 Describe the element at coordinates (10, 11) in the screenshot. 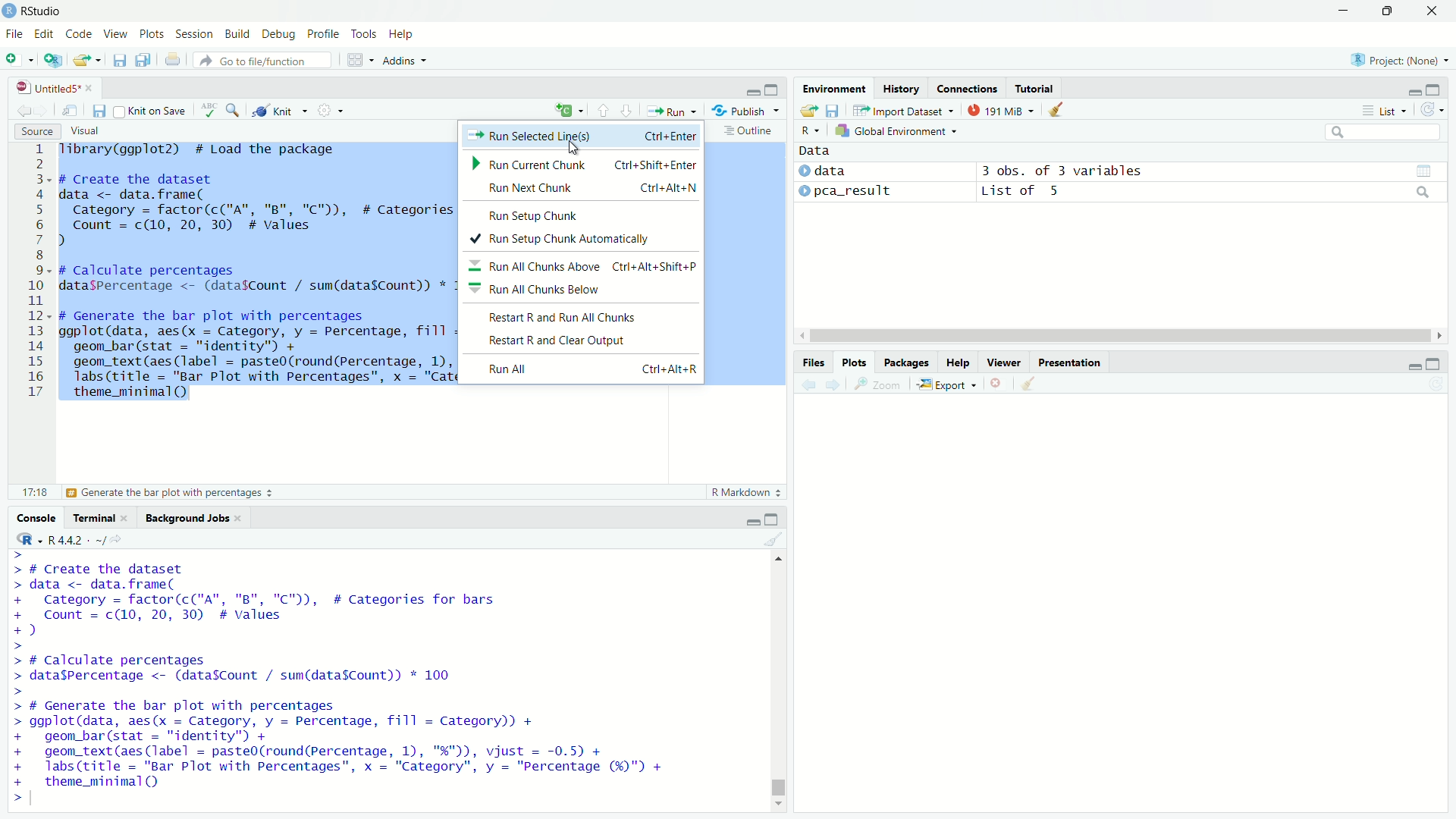

I see `logo` at that location.